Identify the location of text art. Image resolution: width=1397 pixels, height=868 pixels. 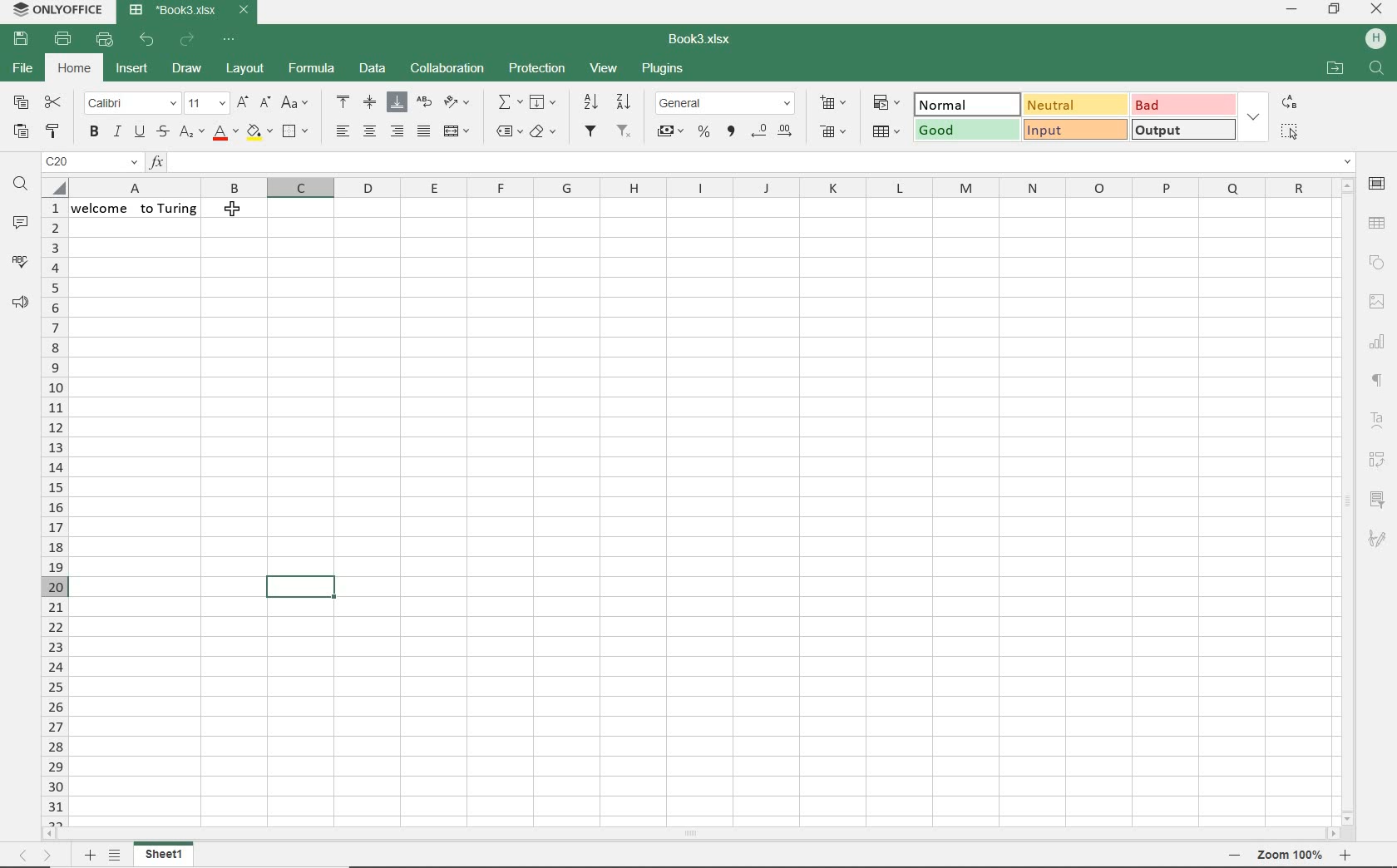
(1377, 423).